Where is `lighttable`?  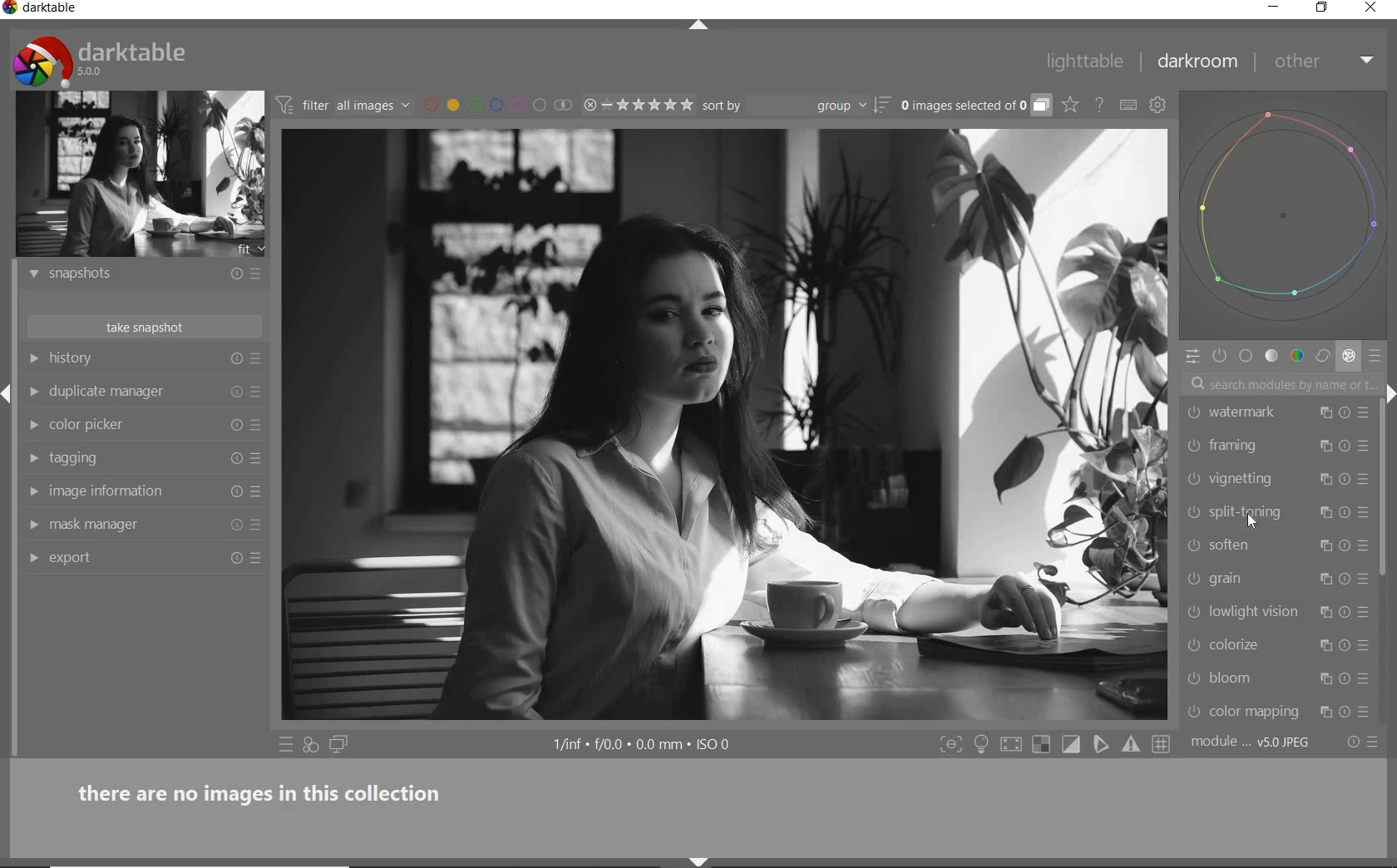 lighttable is located at coordinates (1085, 64).